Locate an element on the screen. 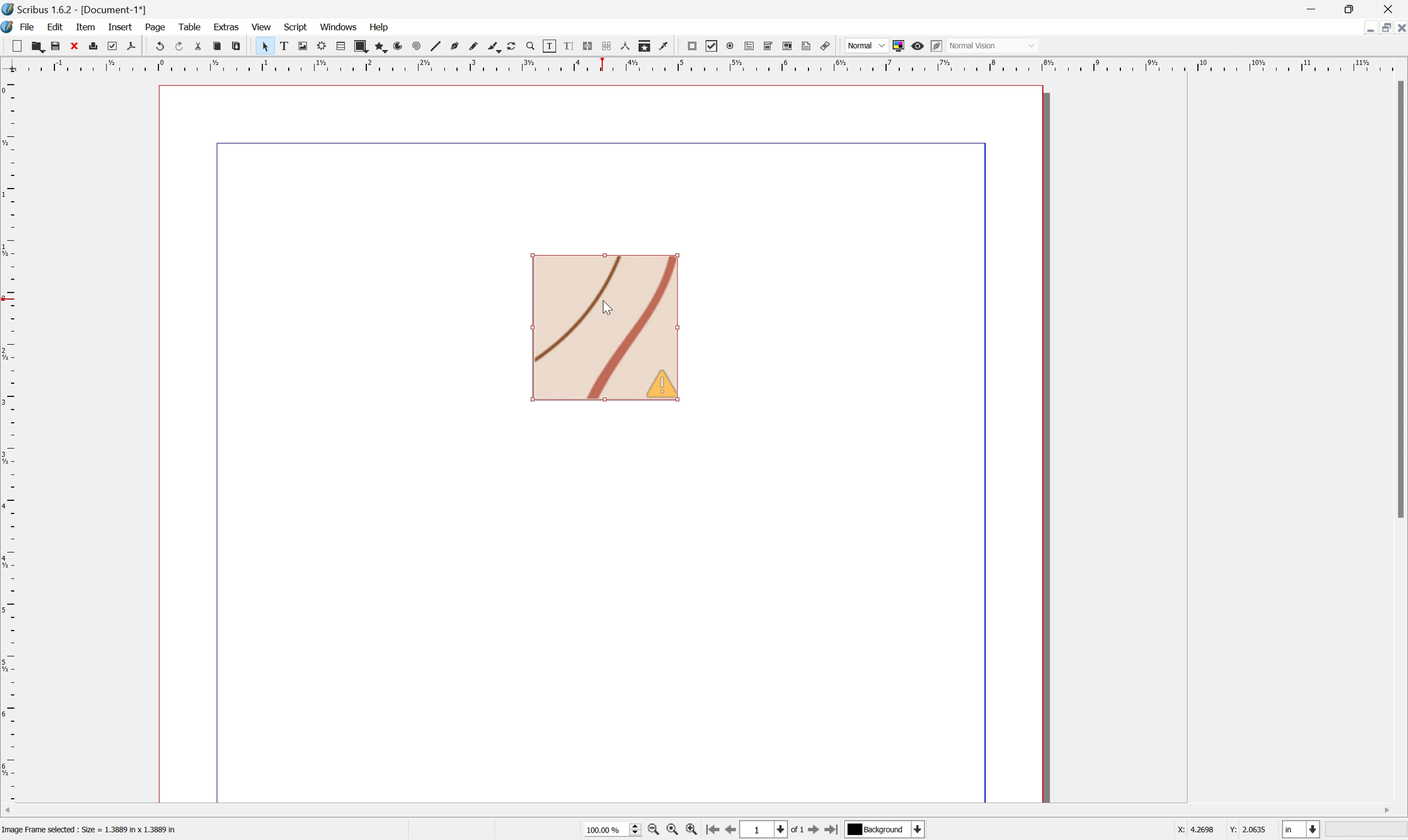 This screenshot has height=840, width=1408. Scribus icon is located at coordinates (9, 27).